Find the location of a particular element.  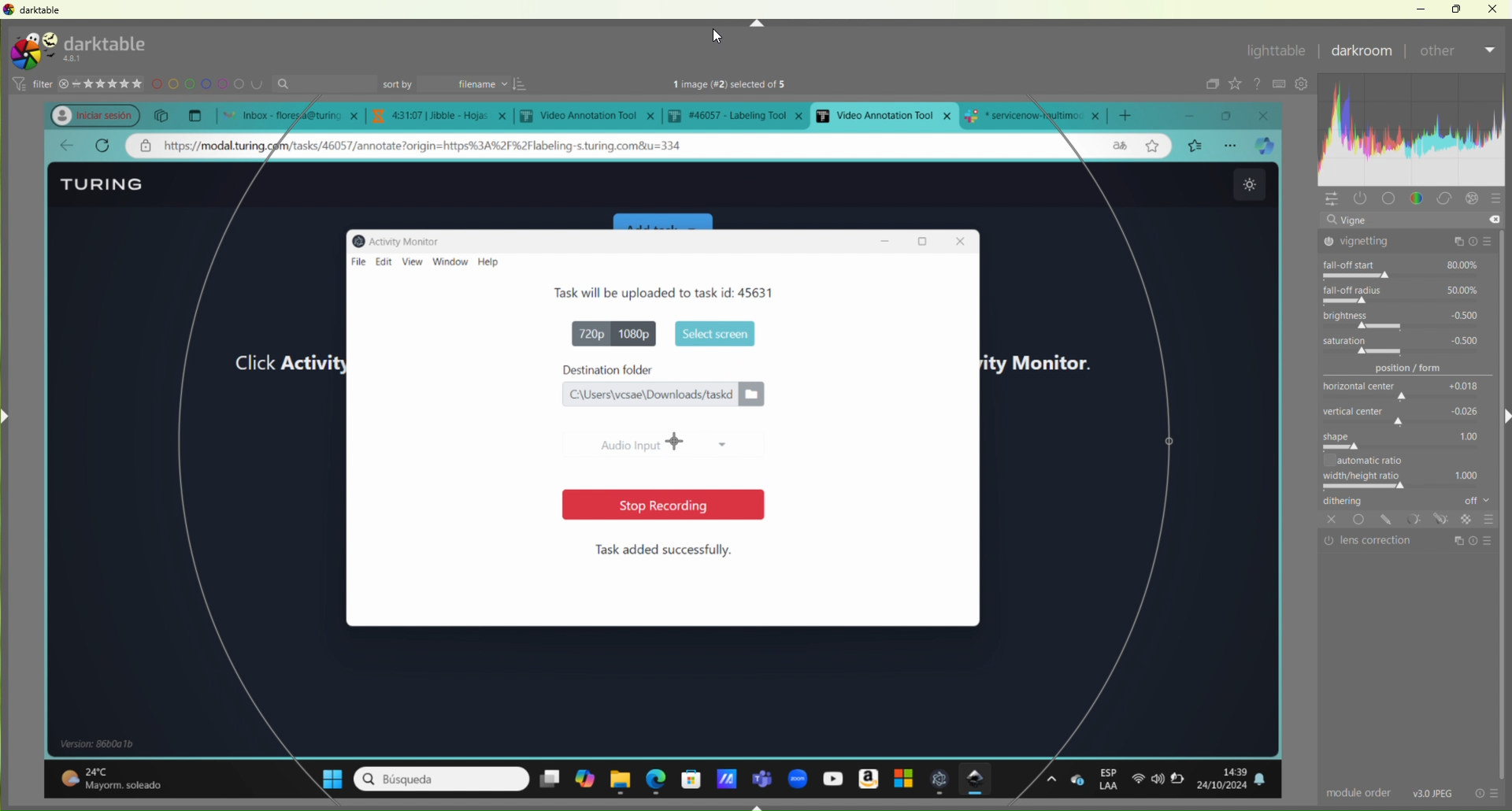

wifi is located at coordinates (1136, 783).